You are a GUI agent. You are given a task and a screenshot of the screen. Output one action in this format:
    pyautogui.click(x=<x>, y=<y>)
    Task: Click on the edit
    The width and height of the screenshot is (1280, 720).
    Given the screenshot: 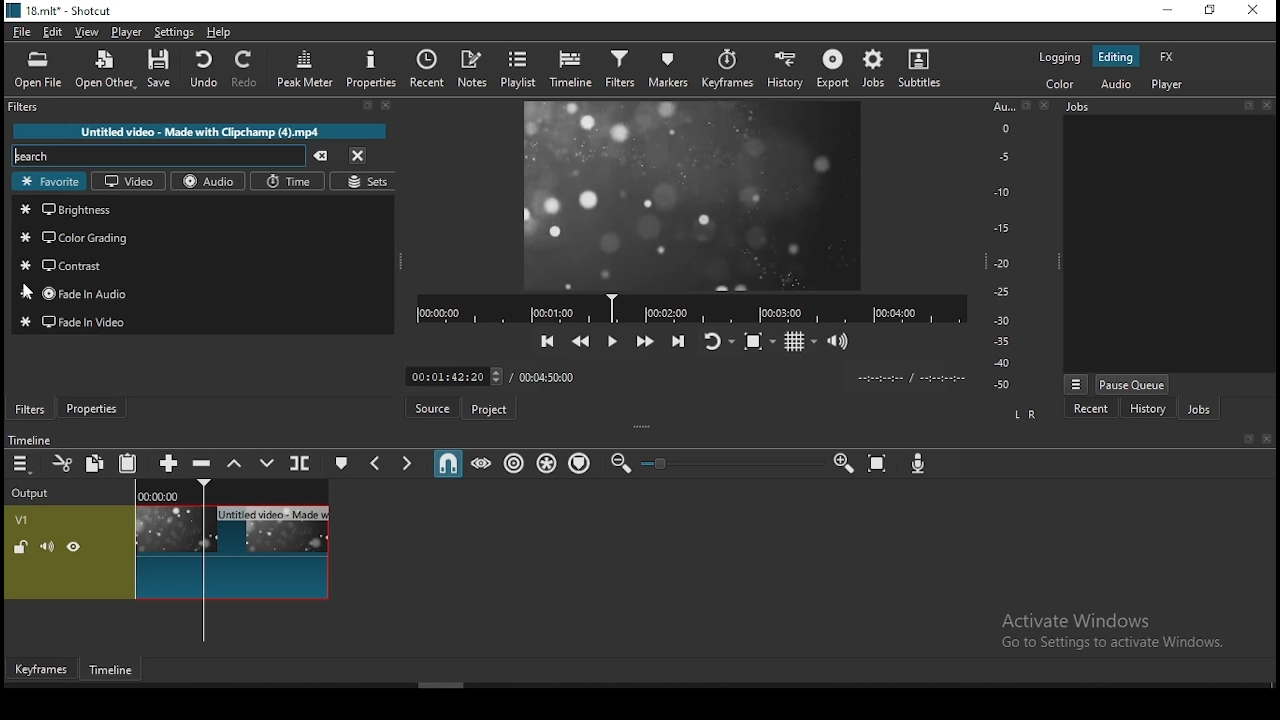 What is the action you would take?
    pyautogui.click(x=55, y=33)
    